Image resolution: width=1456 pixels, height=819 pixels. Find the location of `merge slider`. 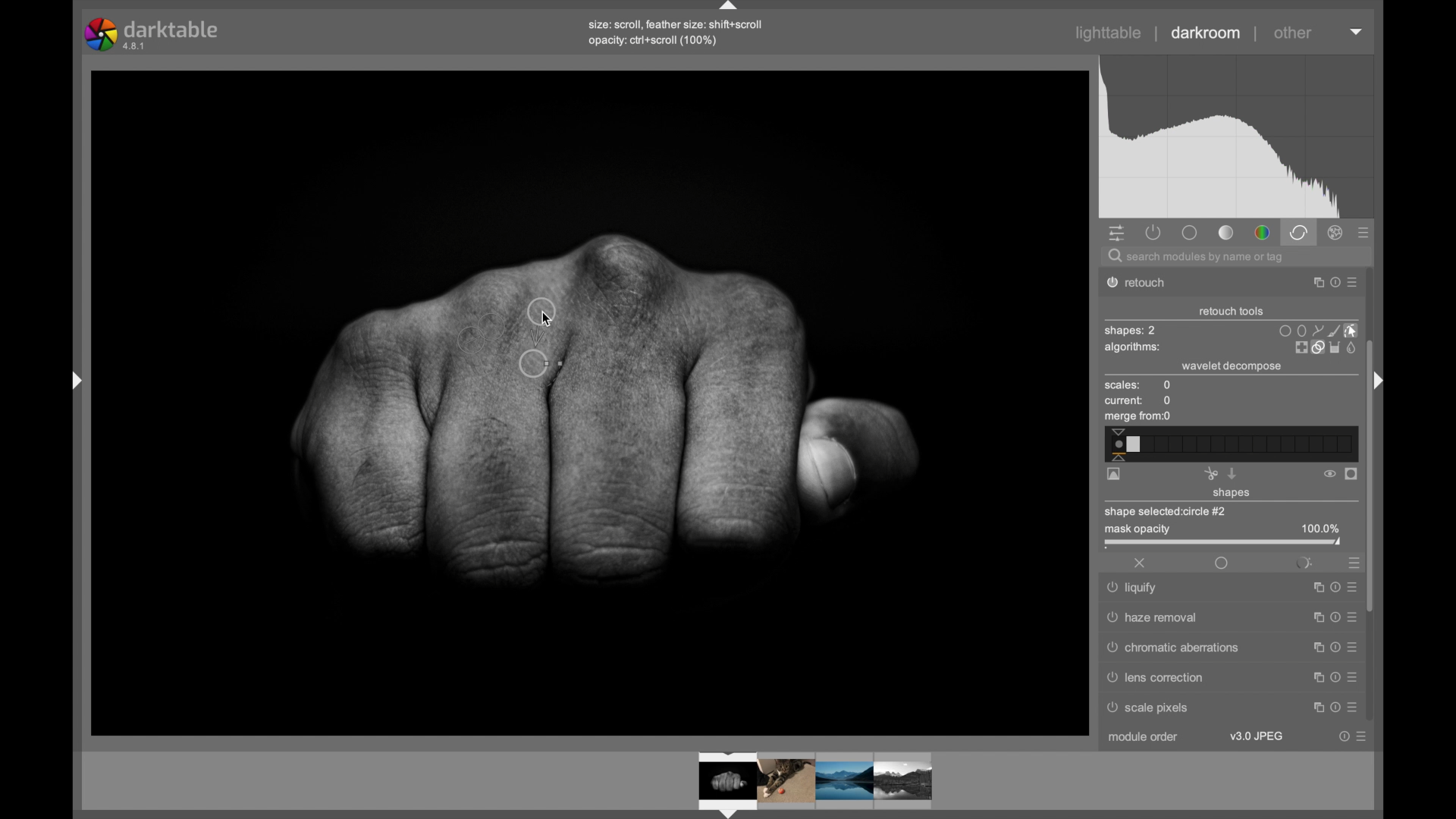

merge slider is located at coordinates (1229, 444).